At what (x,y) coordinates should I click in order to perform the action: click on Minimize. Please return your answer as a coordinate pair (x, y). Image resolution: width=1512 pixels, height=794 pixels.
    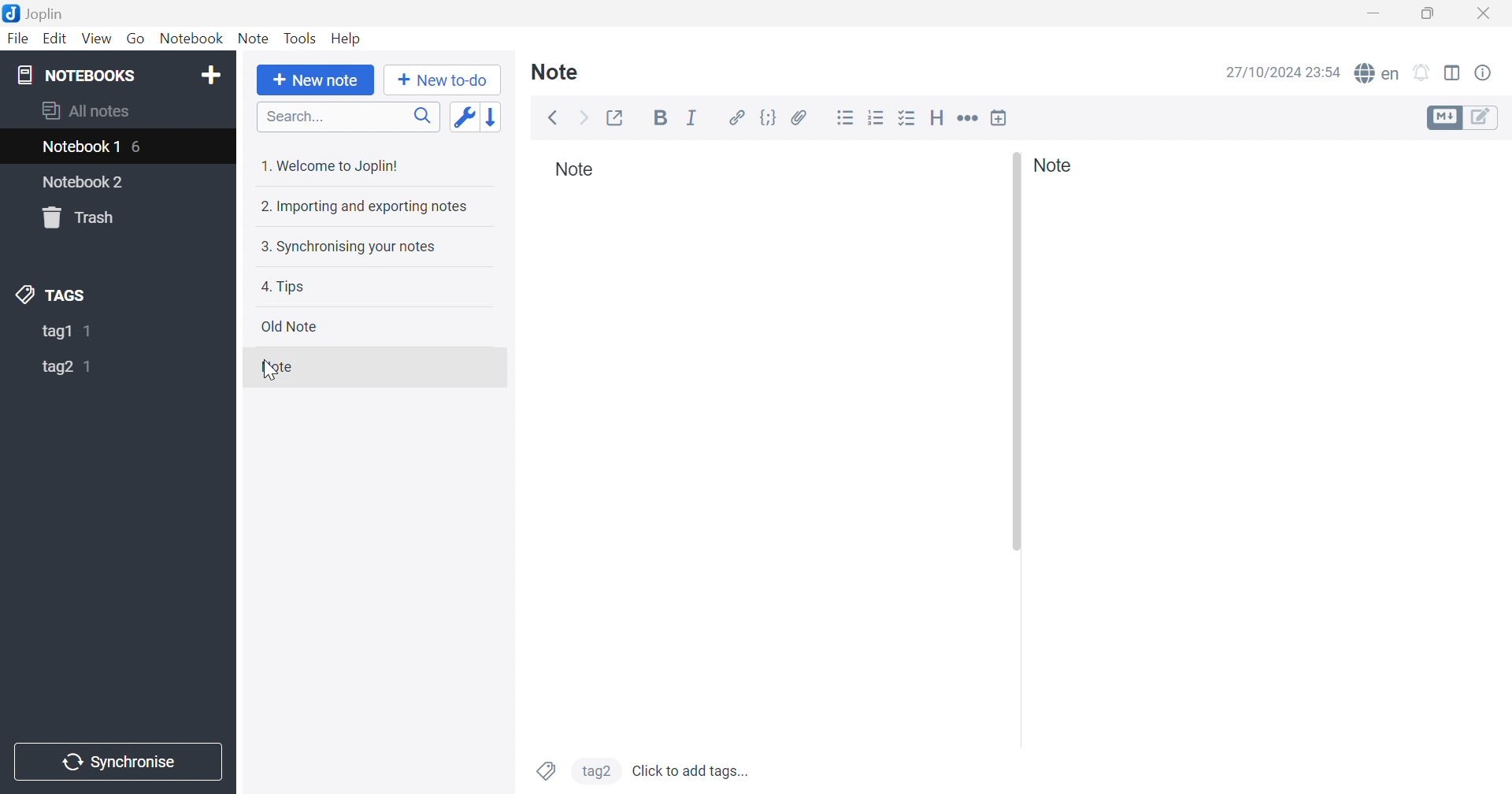
    Looking at the image, I should click on (1373, 13).